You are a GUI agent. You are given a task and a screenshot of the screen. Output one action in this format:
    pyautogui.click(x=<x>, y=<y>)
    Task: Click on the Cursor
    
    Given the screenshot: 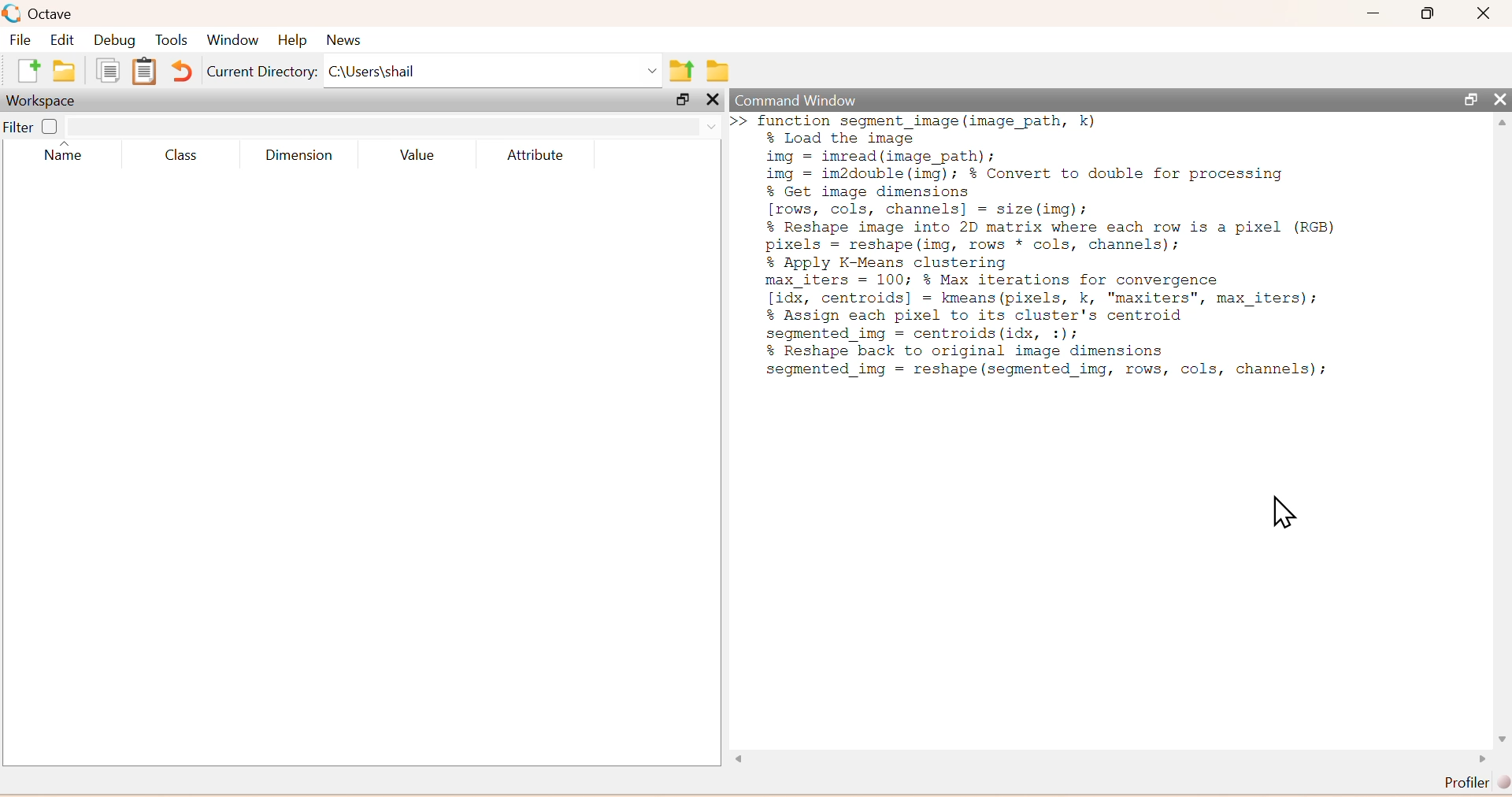 What is the action you would take?
    pyautogui.click(x=1280, y=514)
    